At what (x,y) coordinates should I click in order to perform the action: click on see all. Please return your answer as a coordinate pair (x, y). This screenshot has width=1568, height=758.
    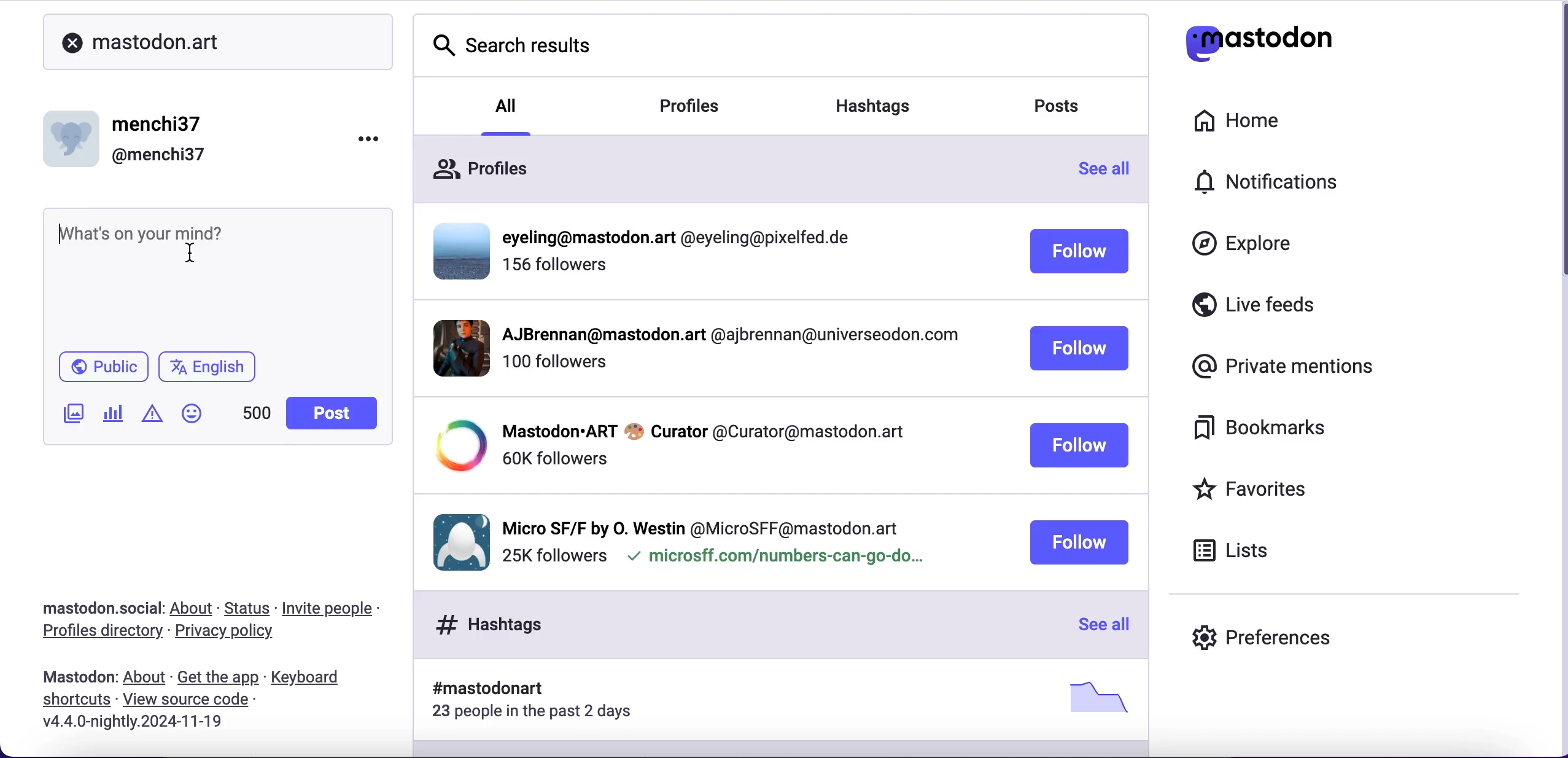
    Looking at the image, I should click on (1098, 623).